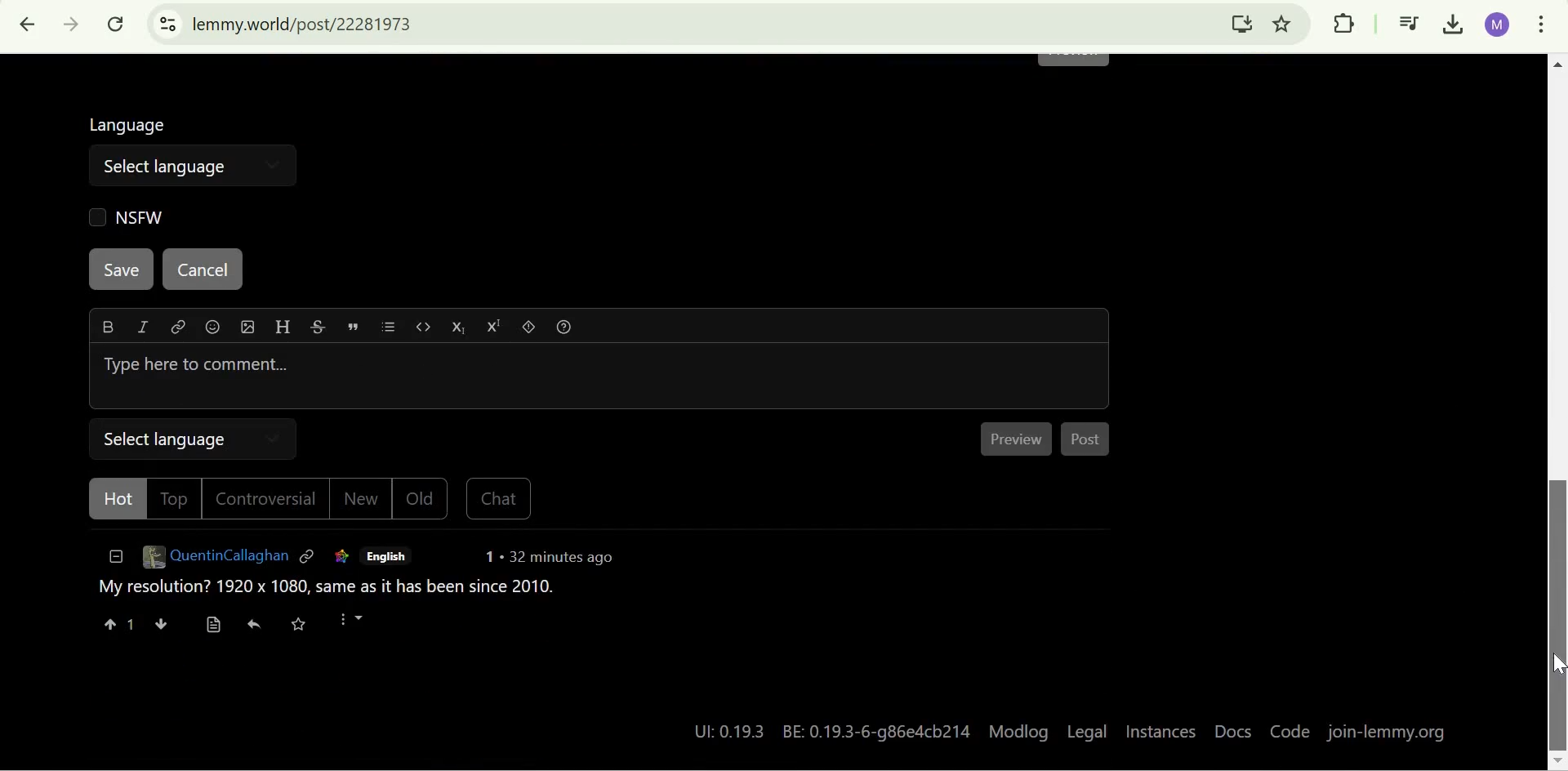 The image size is (1568, 771). I want to click on BE: 0.19.3-6-g86e4cb214, so click(879, 729).